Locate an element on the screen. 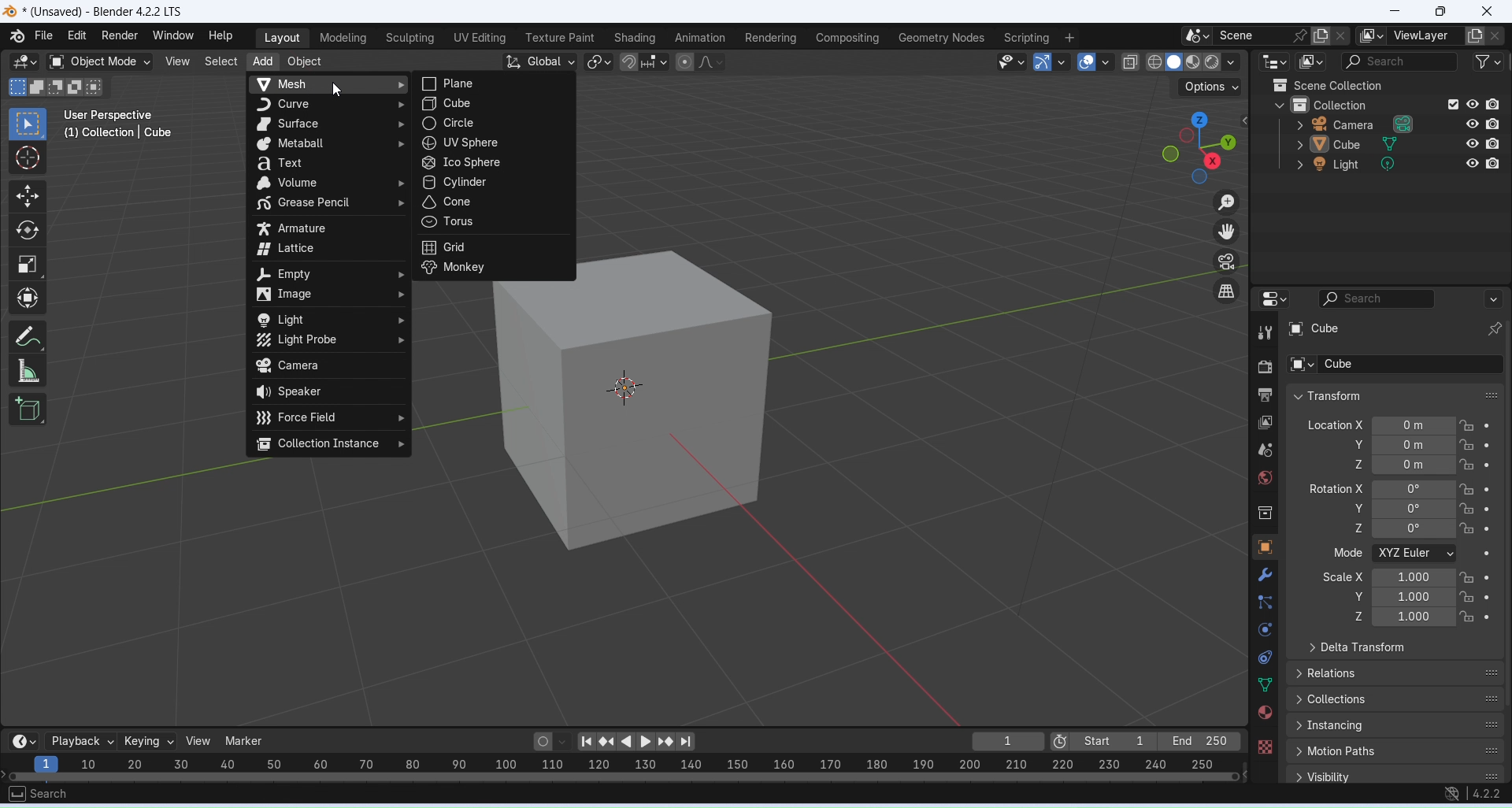 Image resolution: width=1512 pixels, height=808 pixels. Snap is located at coordinates (629, 62).